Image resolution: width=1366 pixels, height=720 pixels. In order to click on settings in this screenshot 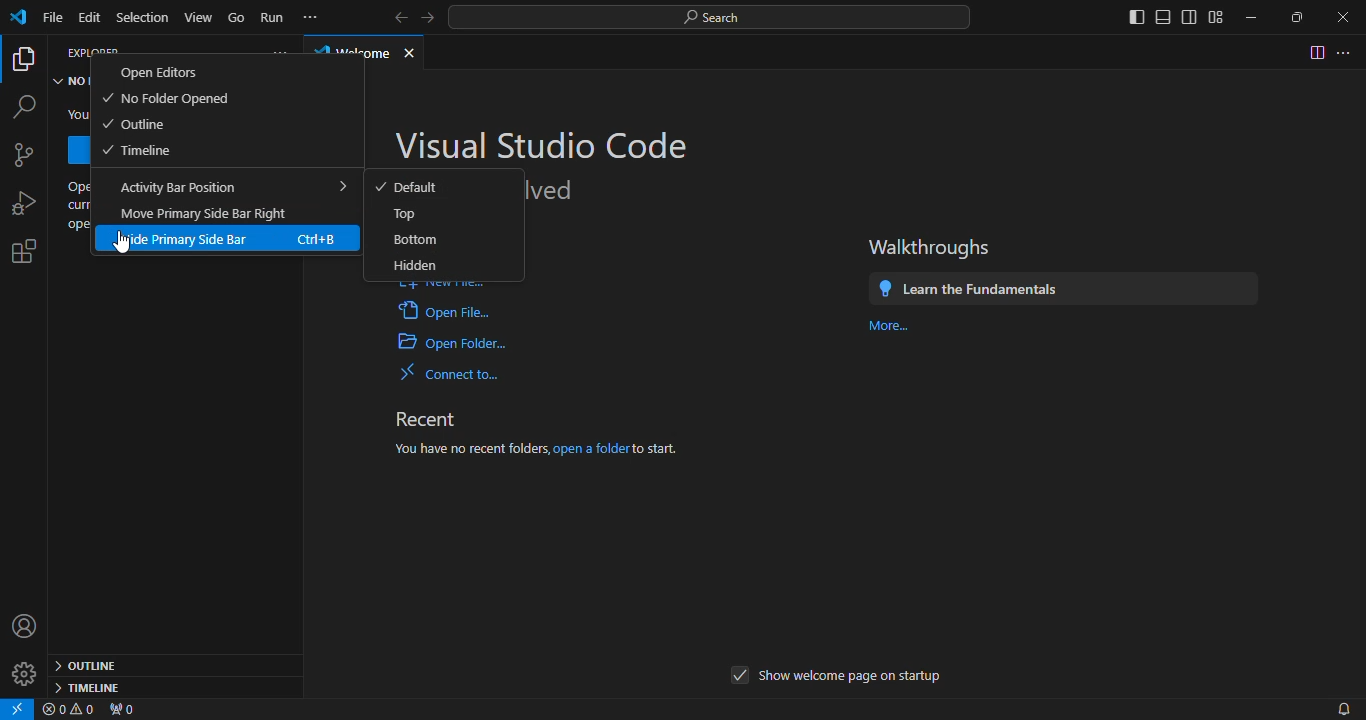, I will do `click(20, 678)`.